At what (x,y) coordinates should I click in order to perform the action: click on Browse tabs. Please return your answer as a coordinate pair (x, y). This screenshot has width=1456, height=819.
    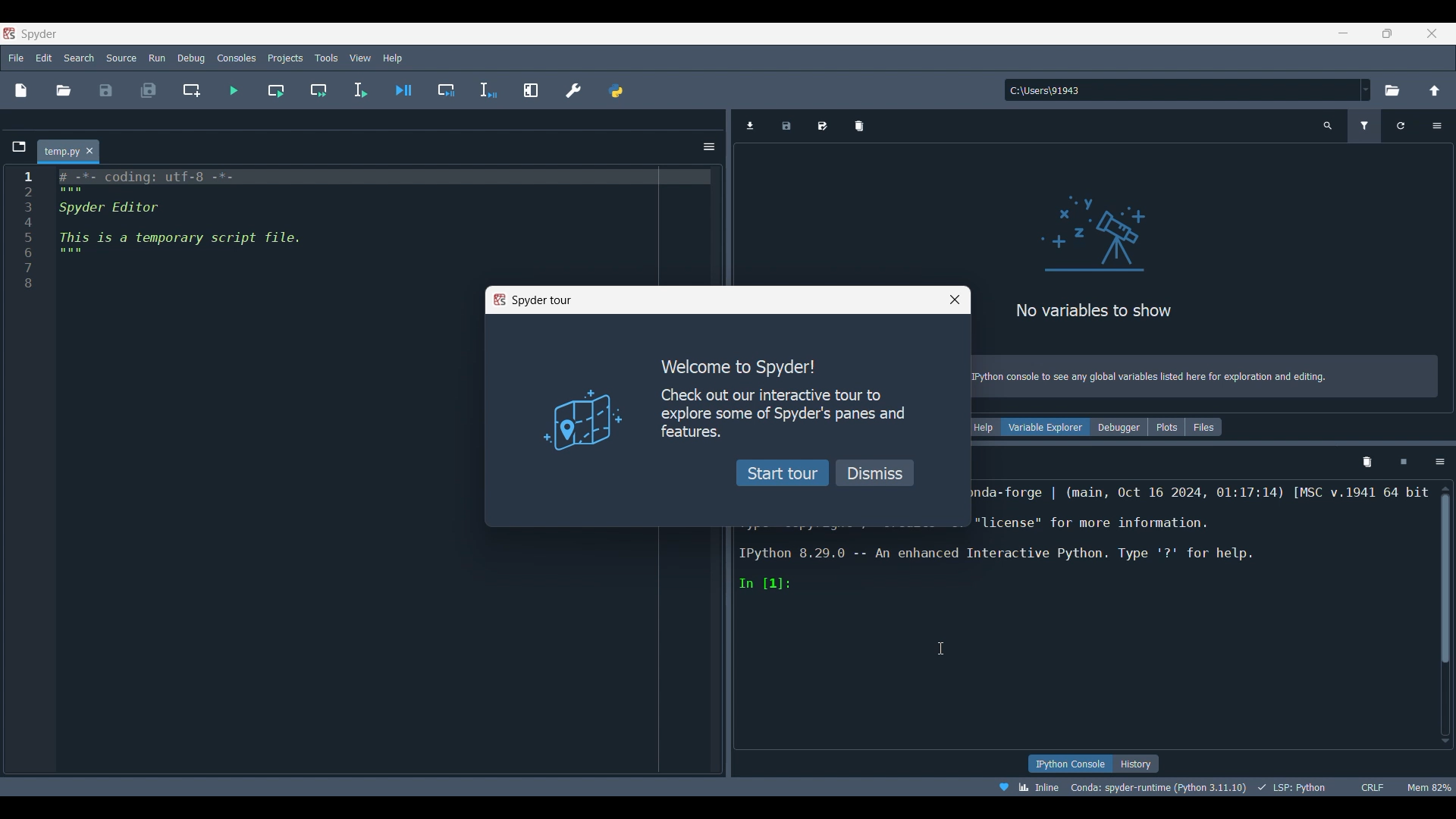
    Looking at the image, I should click on (19, 146).